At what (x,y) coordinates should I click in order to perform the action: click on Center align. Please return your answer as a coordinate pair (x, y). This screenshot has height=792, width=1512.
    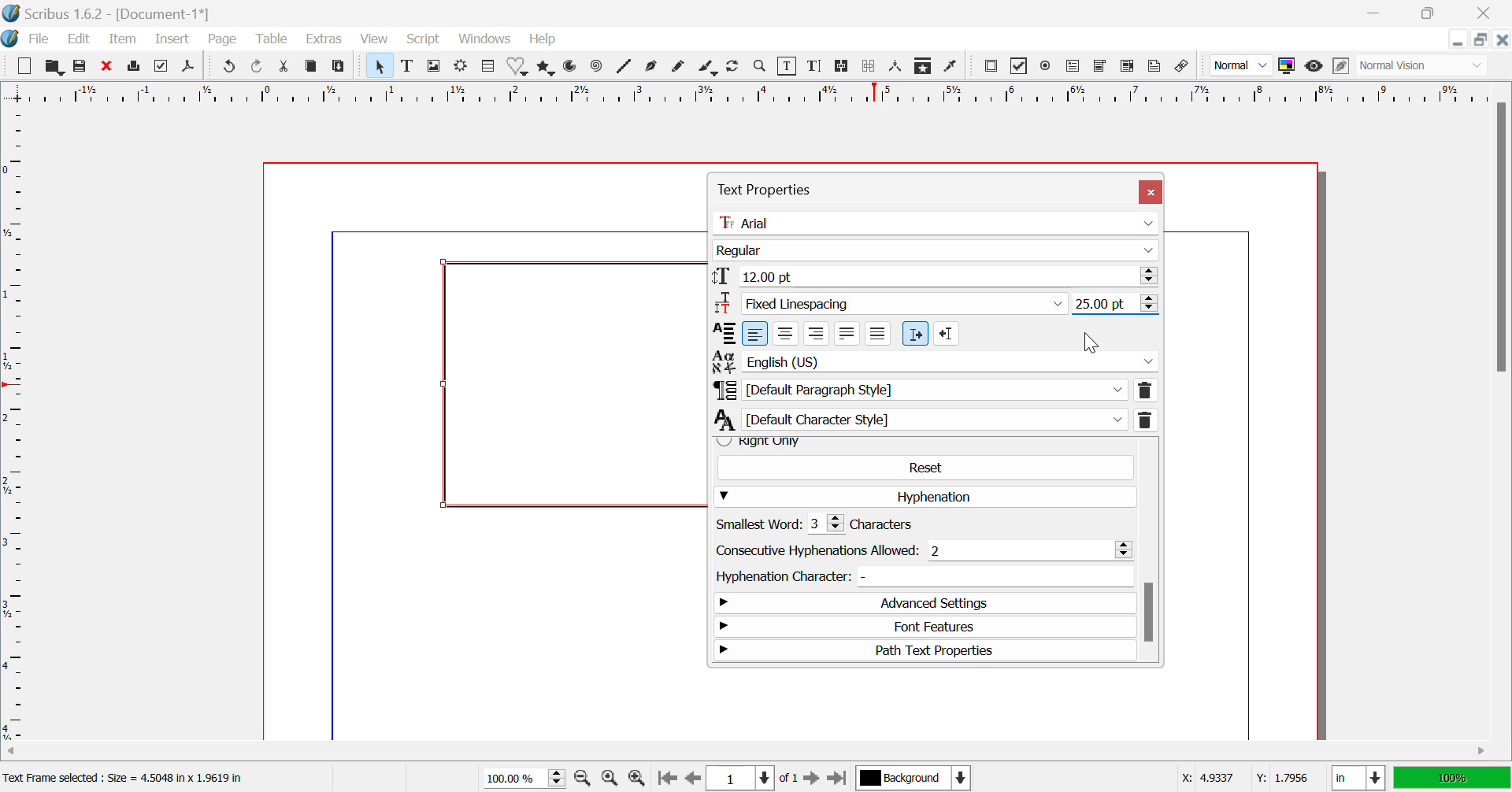
    Looking at the image, I should click on (786, 333).